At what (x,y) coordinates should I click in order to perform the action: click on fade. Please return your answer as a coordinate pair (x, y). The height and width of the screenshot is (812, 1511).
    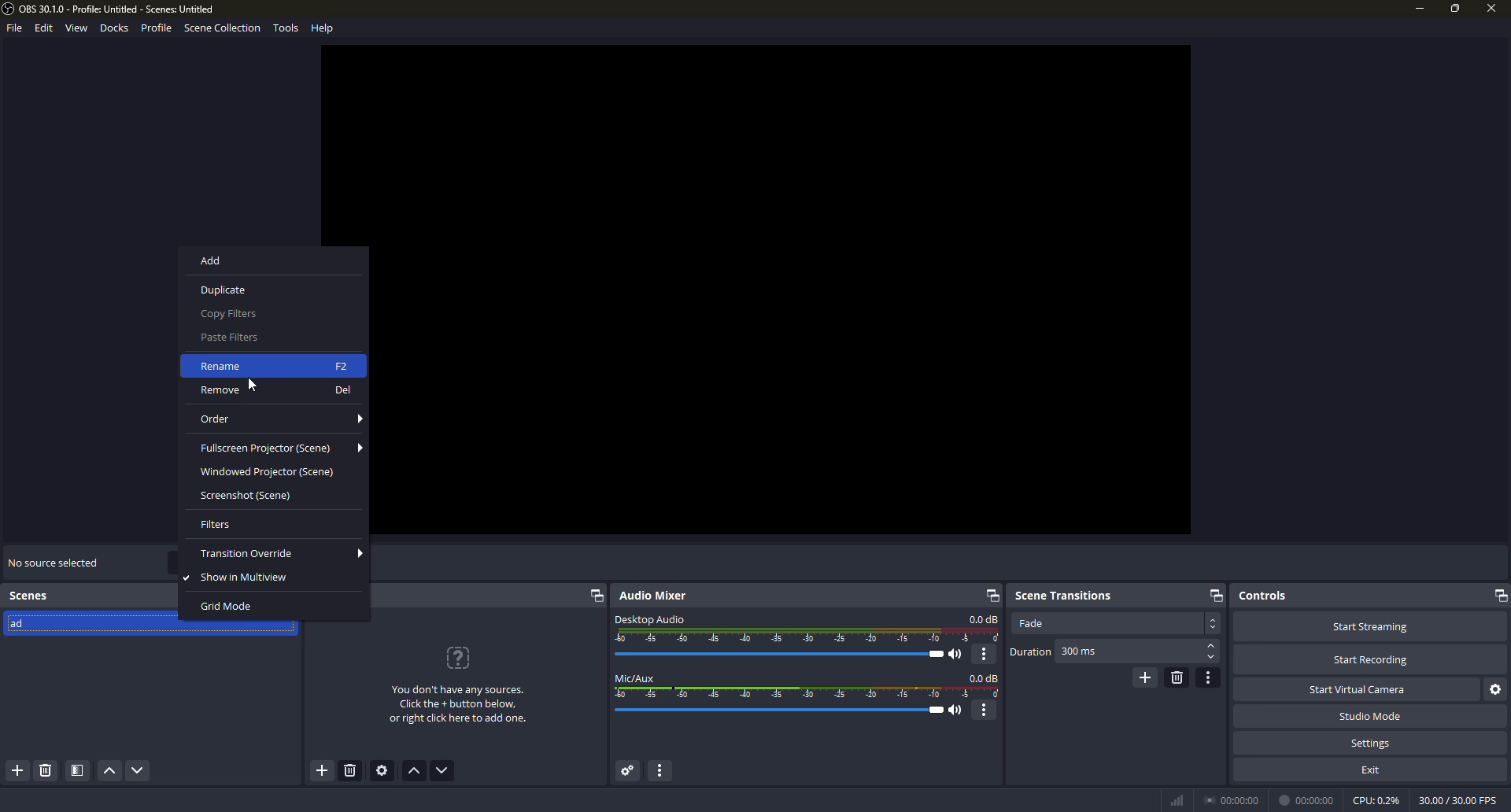
    Looking at the image, I should click on (1031, 623).